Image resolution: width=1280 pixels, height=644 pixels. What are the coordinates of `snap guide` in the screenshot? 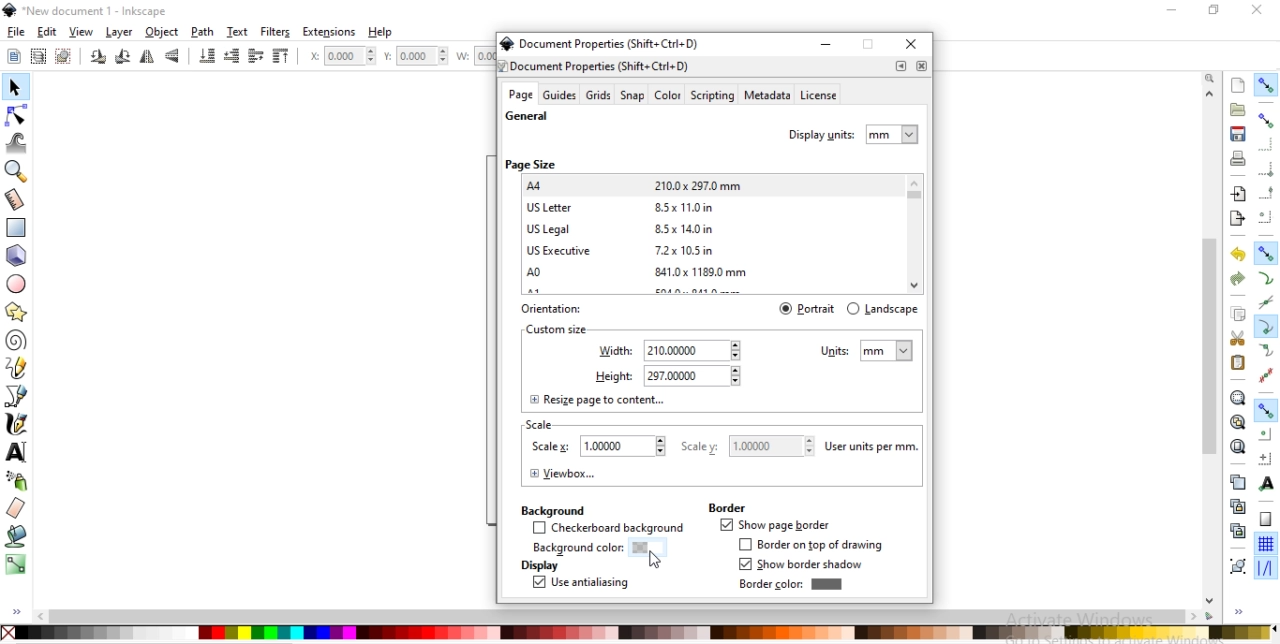 It's located at (1266, 569).